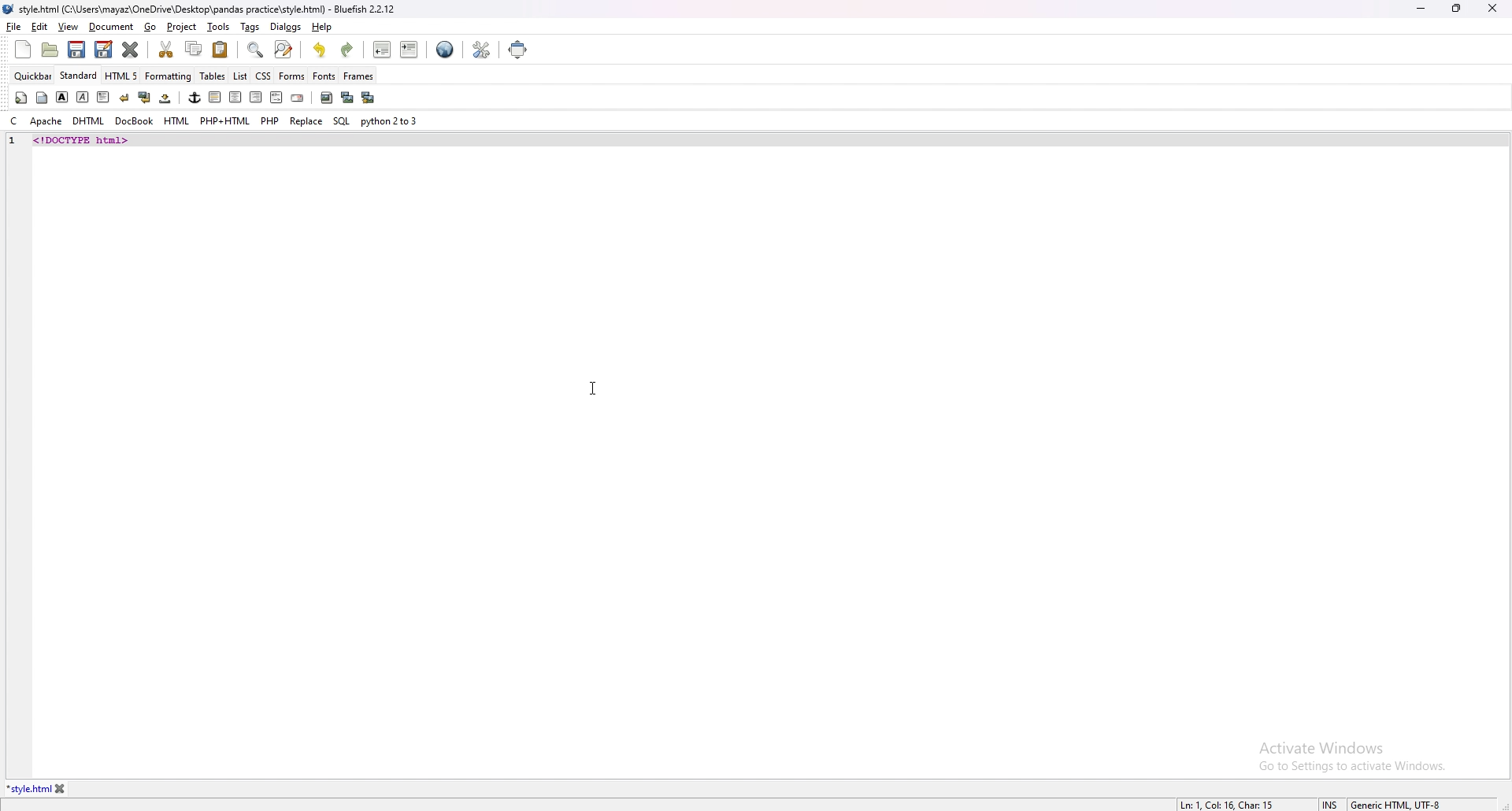  What do you see at coordinates (132, 50) in the screenshot?
I see `close current tab` at bounding box center [132, 50].